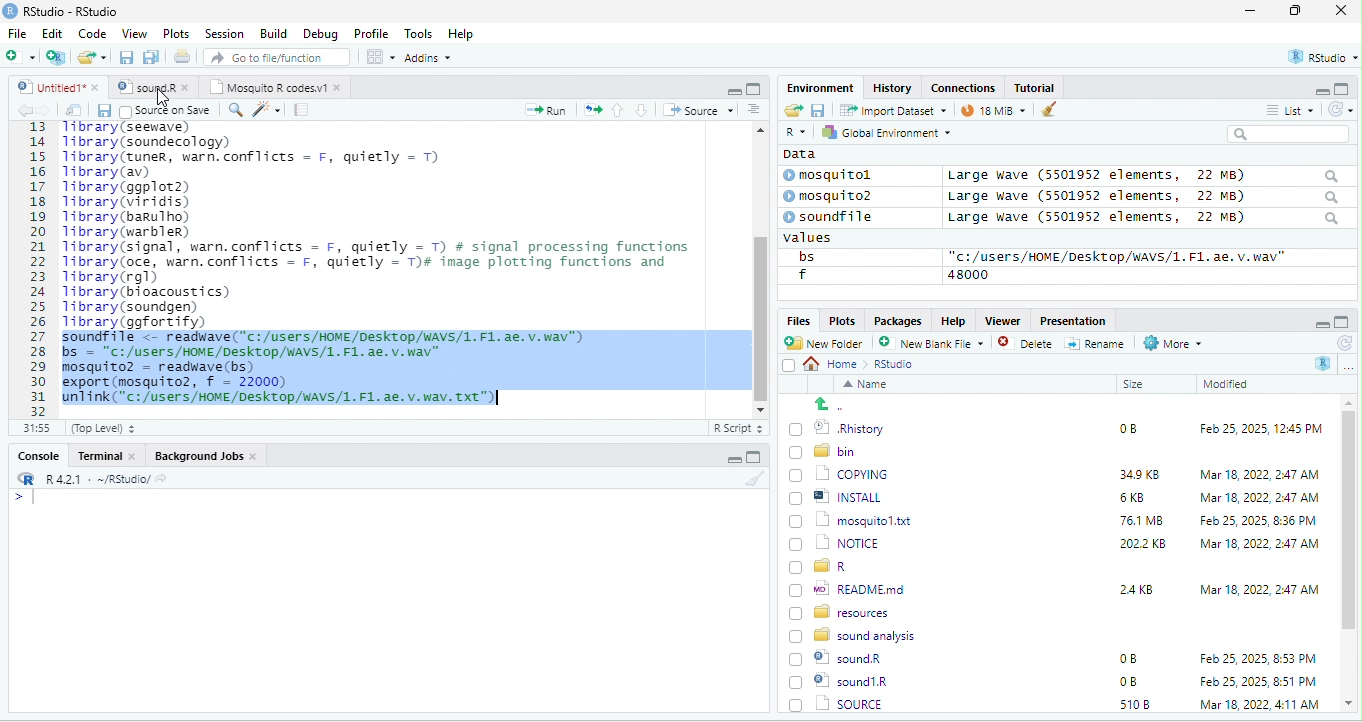  I want to click on hy Global Environment ~, so click(881, 132).